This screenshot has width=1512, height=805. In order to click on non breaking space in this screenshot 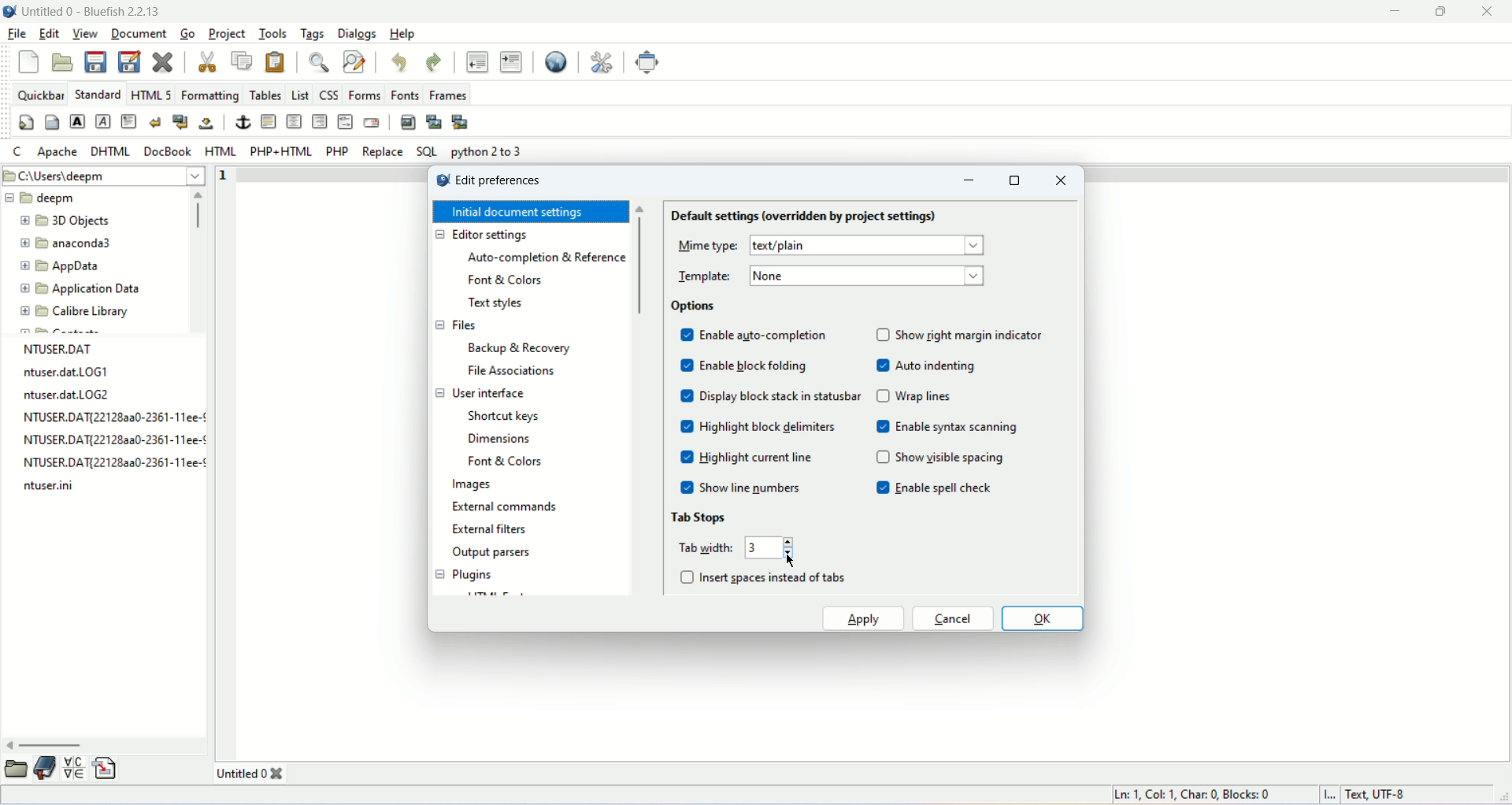, I will do `click(207, 123)`.